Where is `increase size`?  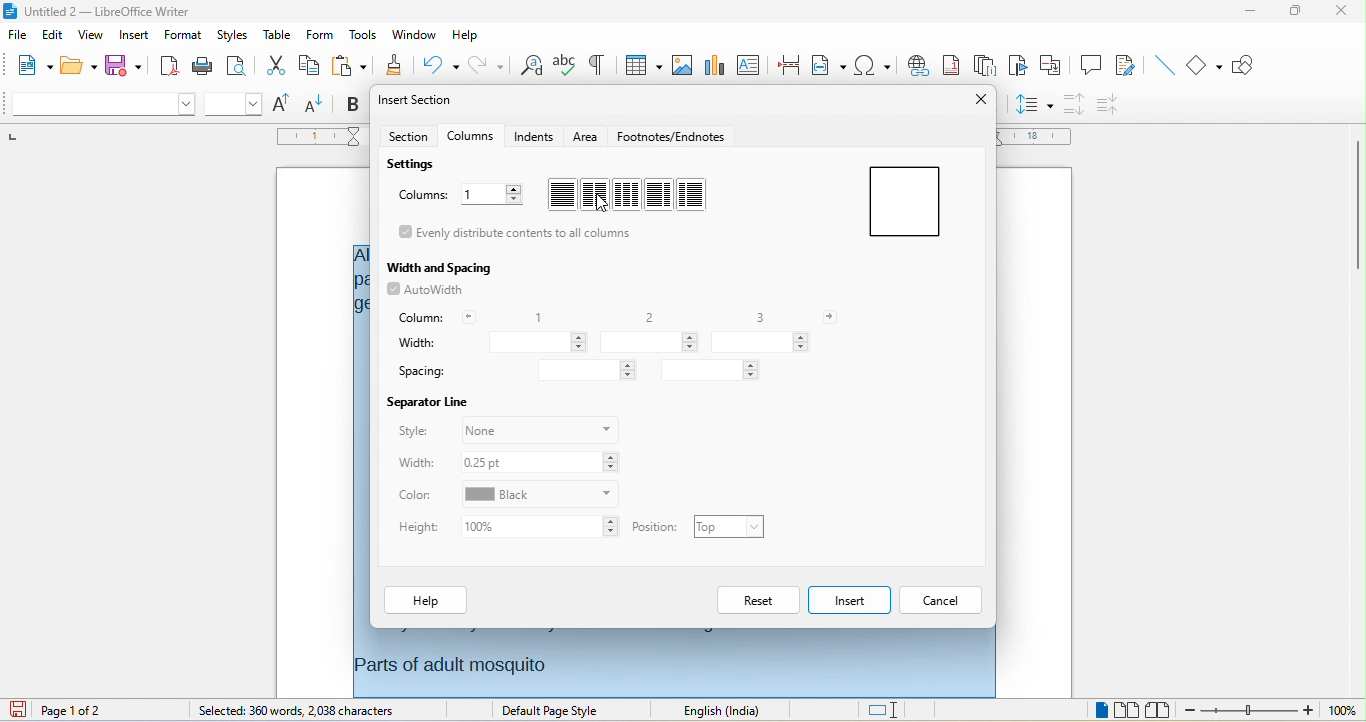
increase size is located at coordinates (284, 102).